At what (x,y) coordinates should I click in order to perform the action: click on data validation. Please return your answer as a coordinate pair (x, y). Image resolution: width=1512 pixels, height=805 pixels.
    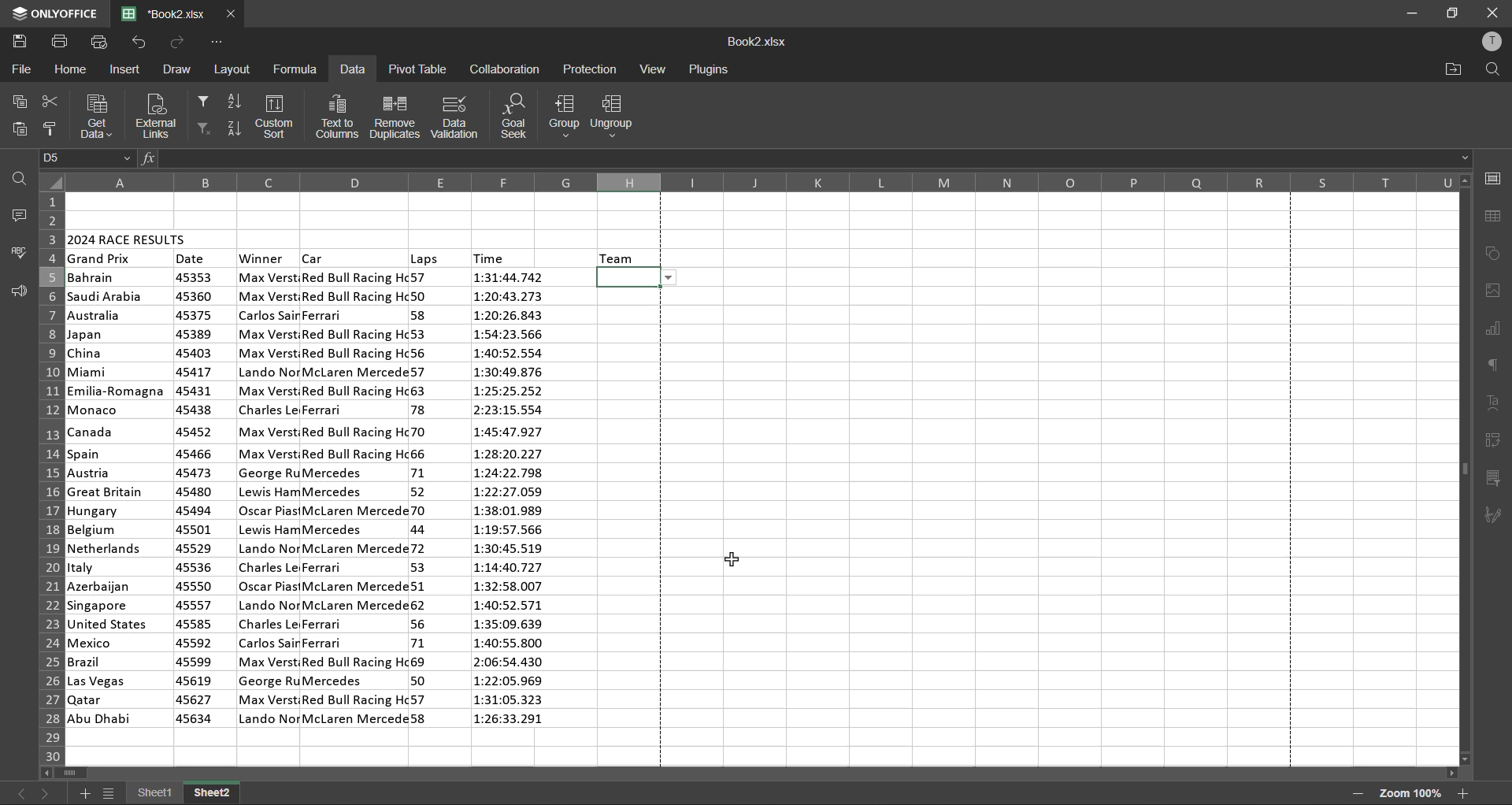
    Looking at the image, I should click on (457, 116).